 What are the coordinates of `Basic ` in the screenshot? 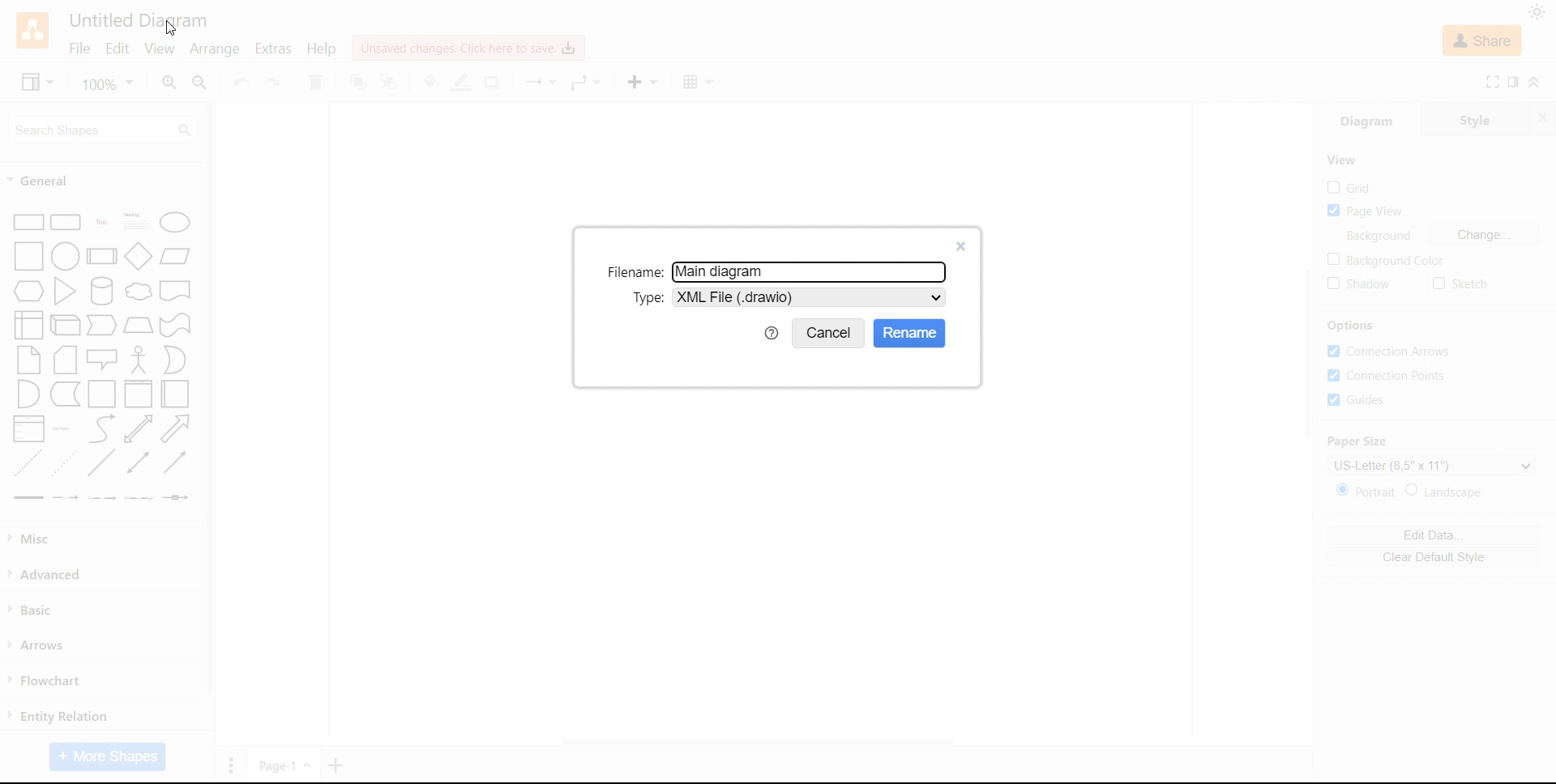 It's located at (34, 609).